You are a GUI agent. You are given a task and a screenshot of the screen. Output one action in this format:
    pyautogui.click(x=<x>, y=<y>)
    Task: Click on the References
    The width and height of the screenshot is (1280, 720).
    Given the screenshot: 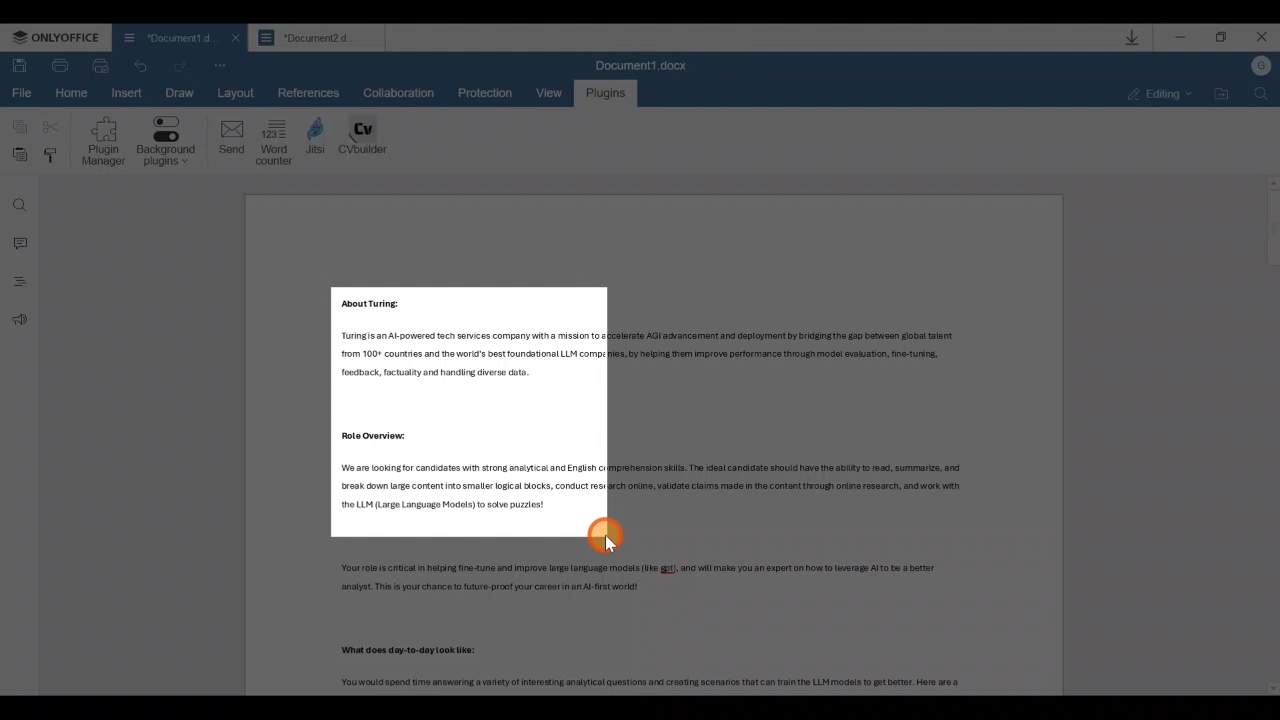 What is the action you would take?
    pyautogui.click(x=310, y=92)
    